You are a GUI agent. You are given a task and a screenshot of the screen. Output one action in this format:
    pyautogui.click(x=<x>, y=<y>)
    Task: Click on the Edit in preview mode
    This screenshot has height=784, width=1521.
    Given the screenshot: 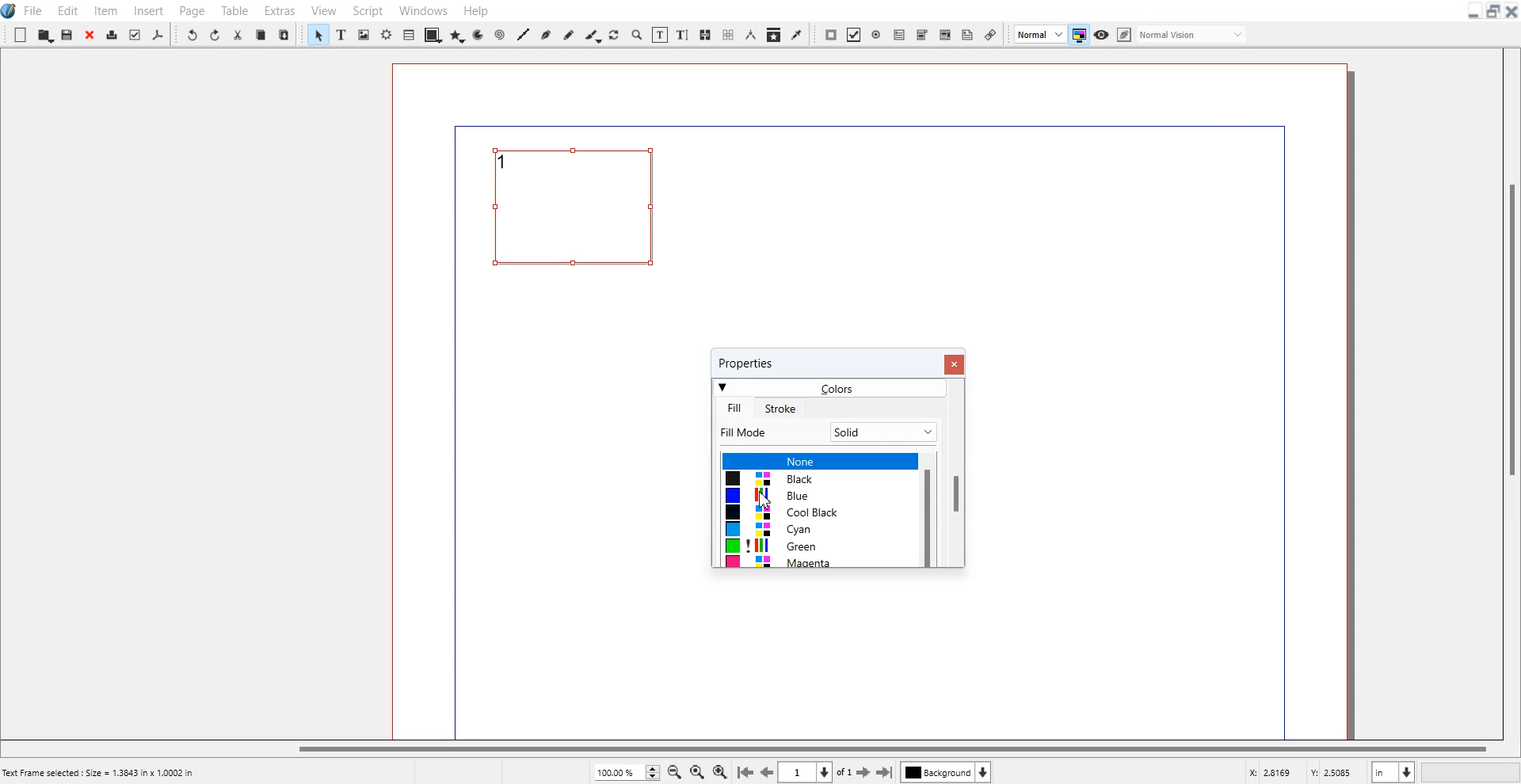 What is the action you would take?
    pyautogui.click(x=1183, y=33)
    